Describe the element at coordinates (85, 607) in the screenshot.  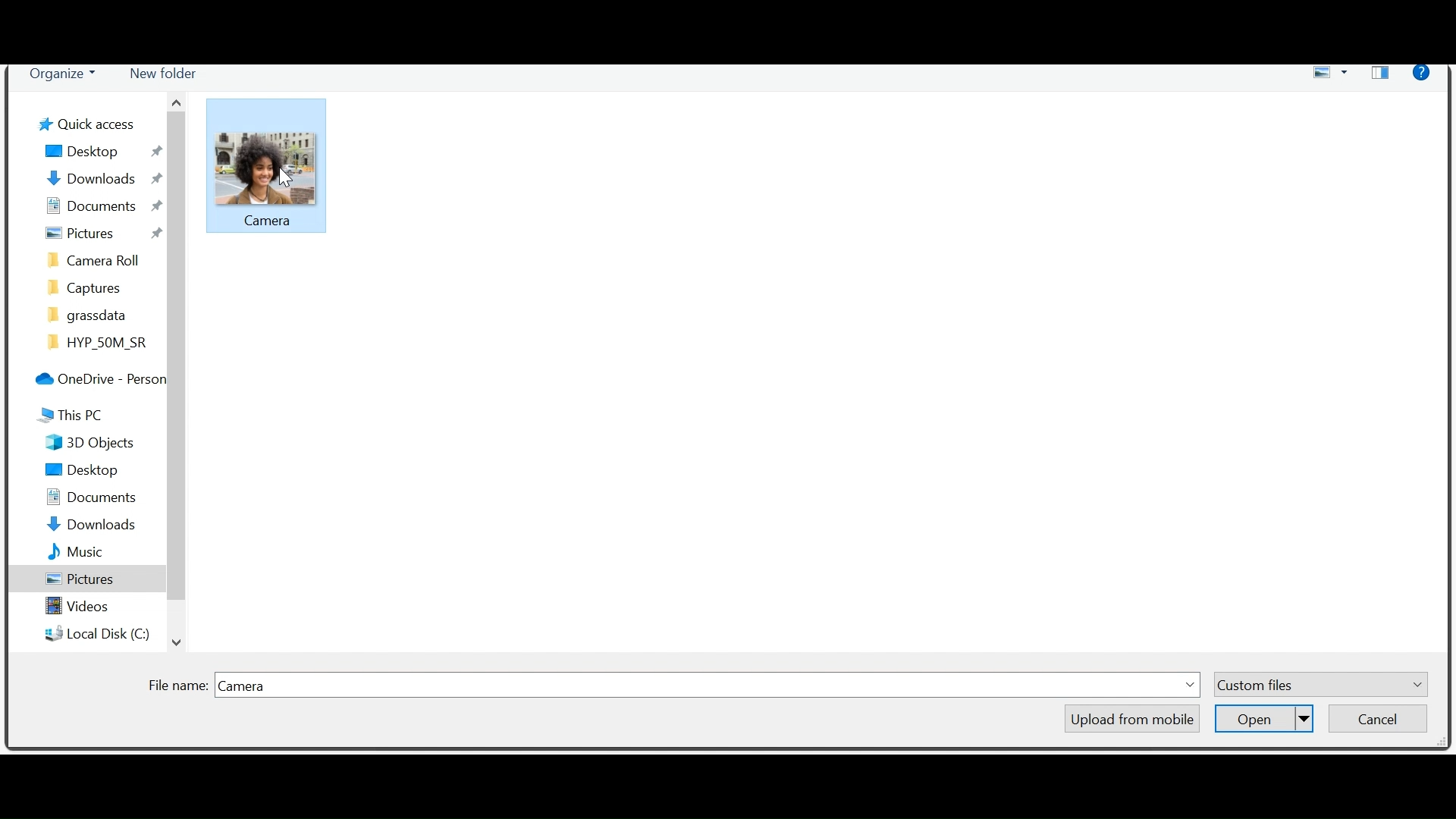
I see `Videos` at that location.